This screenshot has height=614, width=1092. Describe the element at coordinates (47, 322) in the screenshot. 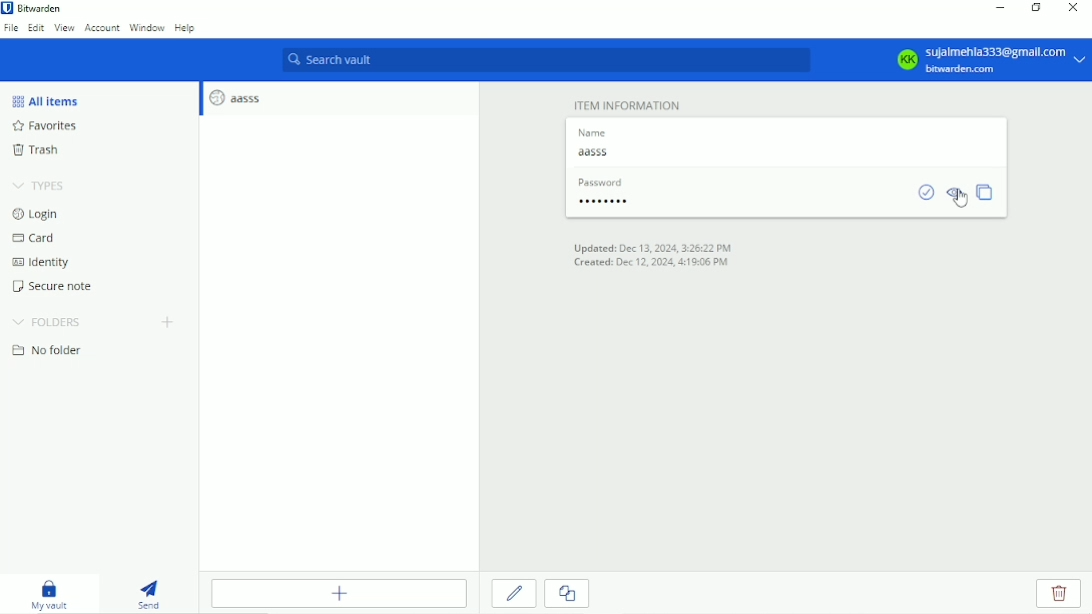

I see `Folders` at that location.